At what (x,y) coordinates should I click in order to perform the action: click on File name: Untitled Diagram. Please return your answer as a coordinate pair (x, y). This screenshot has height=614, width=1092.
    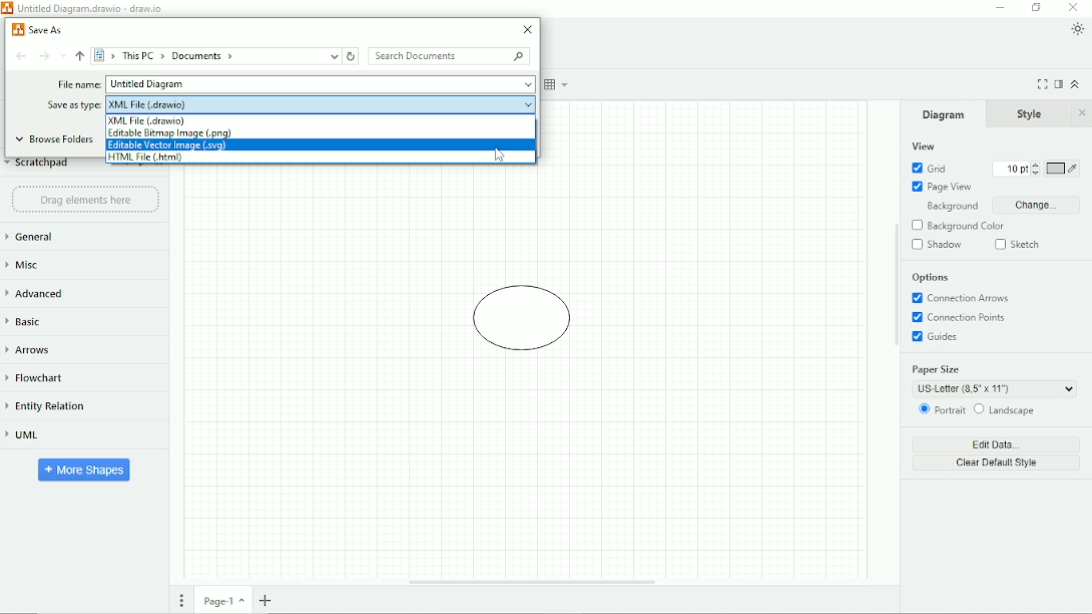
    Looking at the image, I should click on (295, 85).